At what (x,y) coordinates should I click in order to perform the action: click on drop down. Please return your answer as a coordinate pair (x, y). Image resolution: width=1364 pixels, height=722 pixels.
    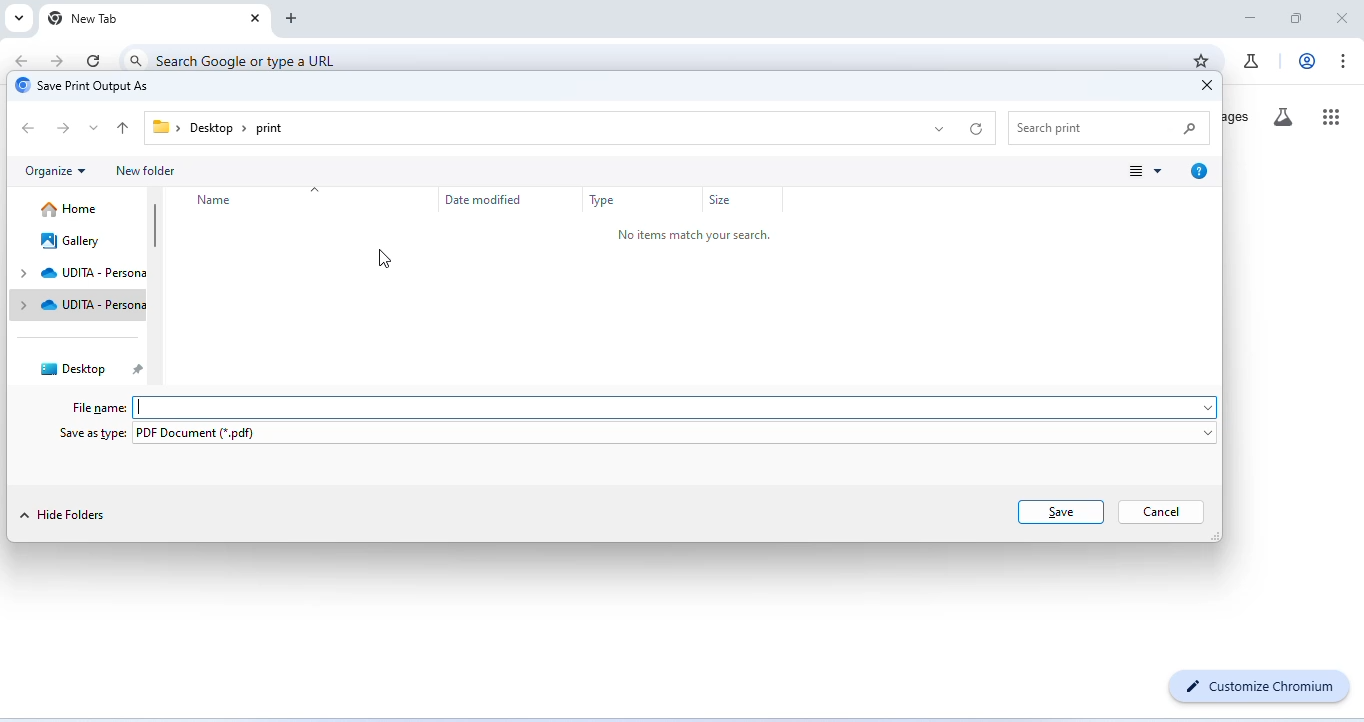
    Looking at the image, I should click on (315, 191).